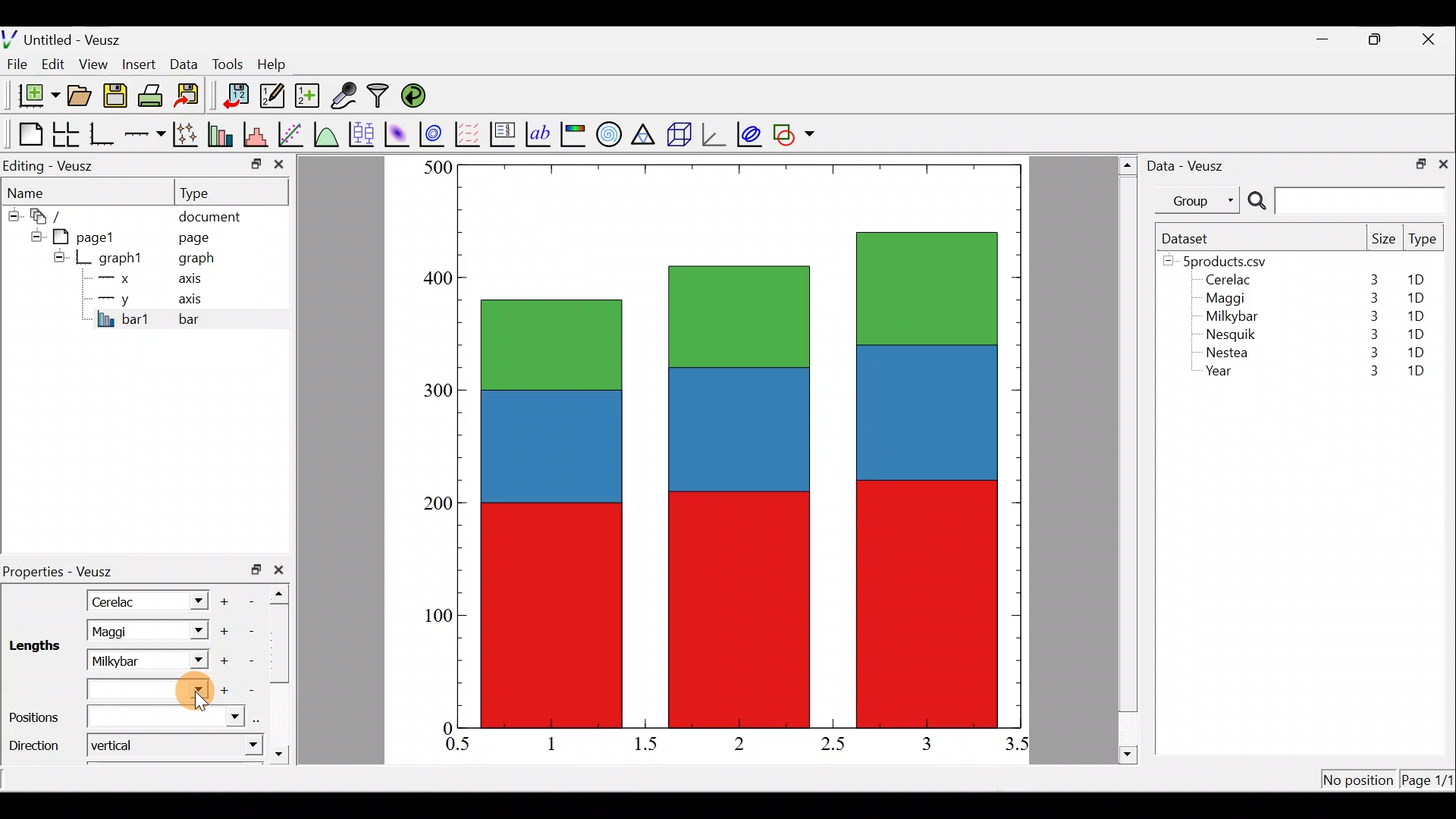 This screenshot has height=819, width=1456. I want to click on 500, so click(437, 167).